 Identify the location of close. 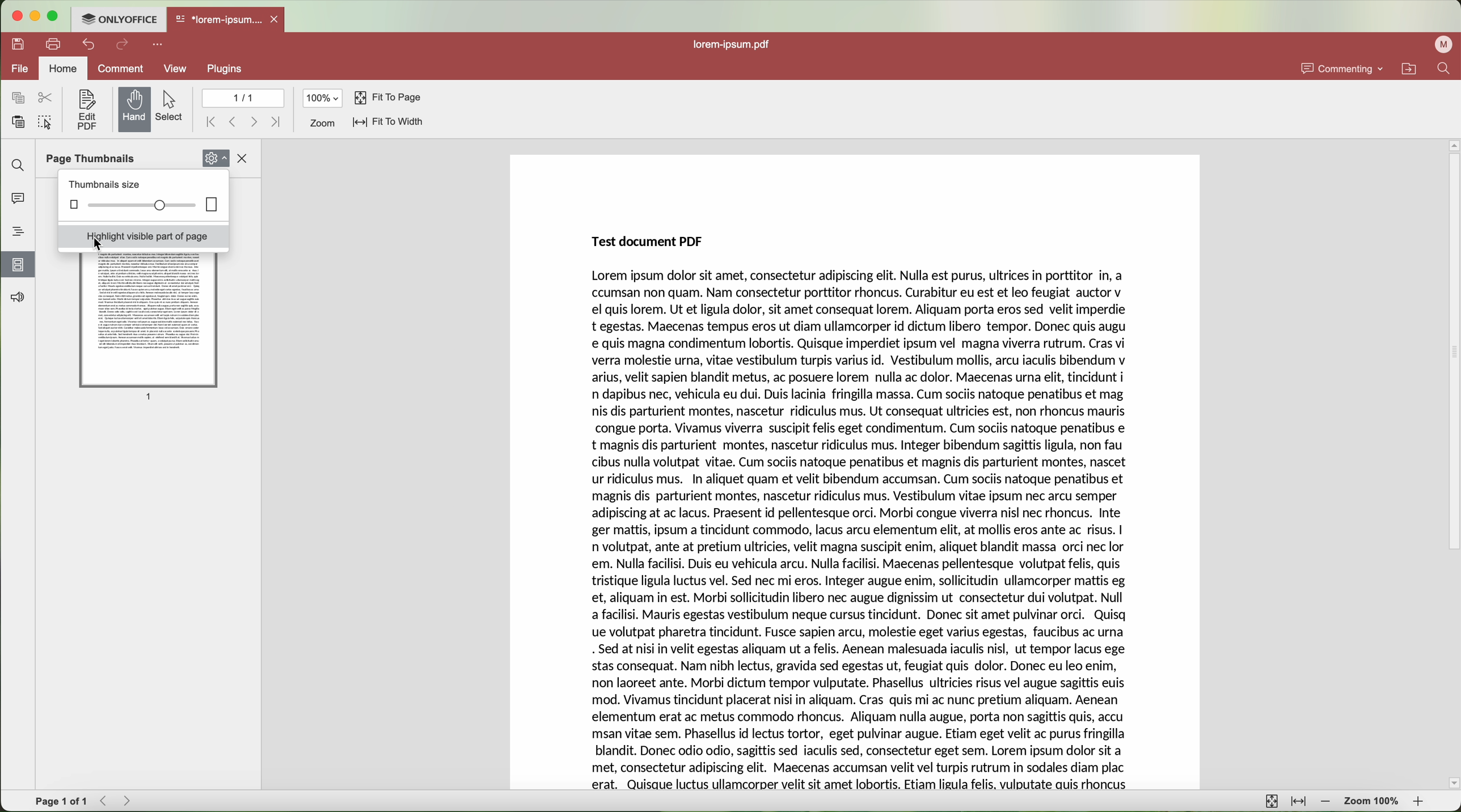
(246, 158).